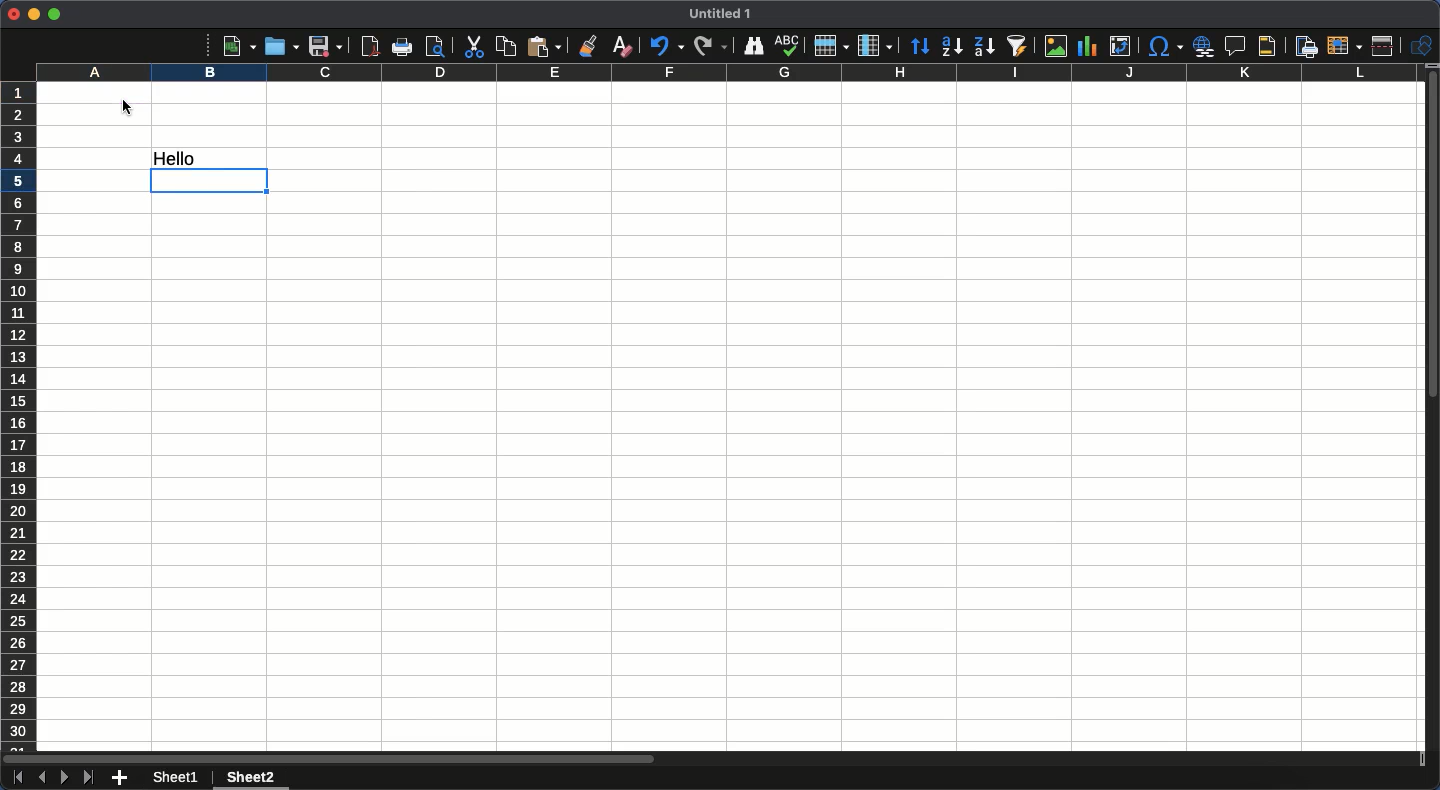 This screenshot has height=790, width=1440. Describe the element at coordinates (832, 45) in the screenshot. I see `Row` at that location.